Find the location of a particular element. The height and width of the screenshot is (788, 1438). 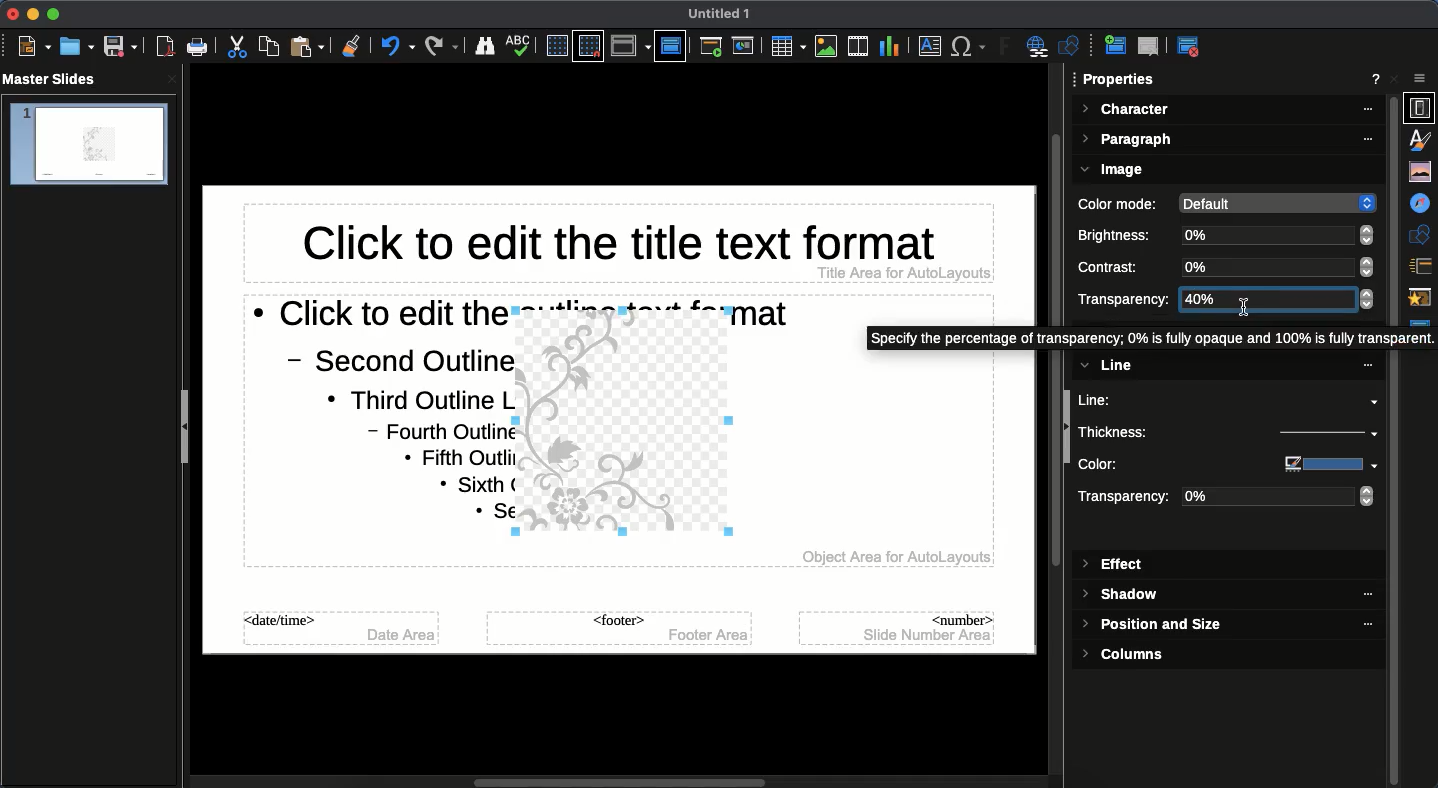

Shadow is located at coordinates (1124, 596).